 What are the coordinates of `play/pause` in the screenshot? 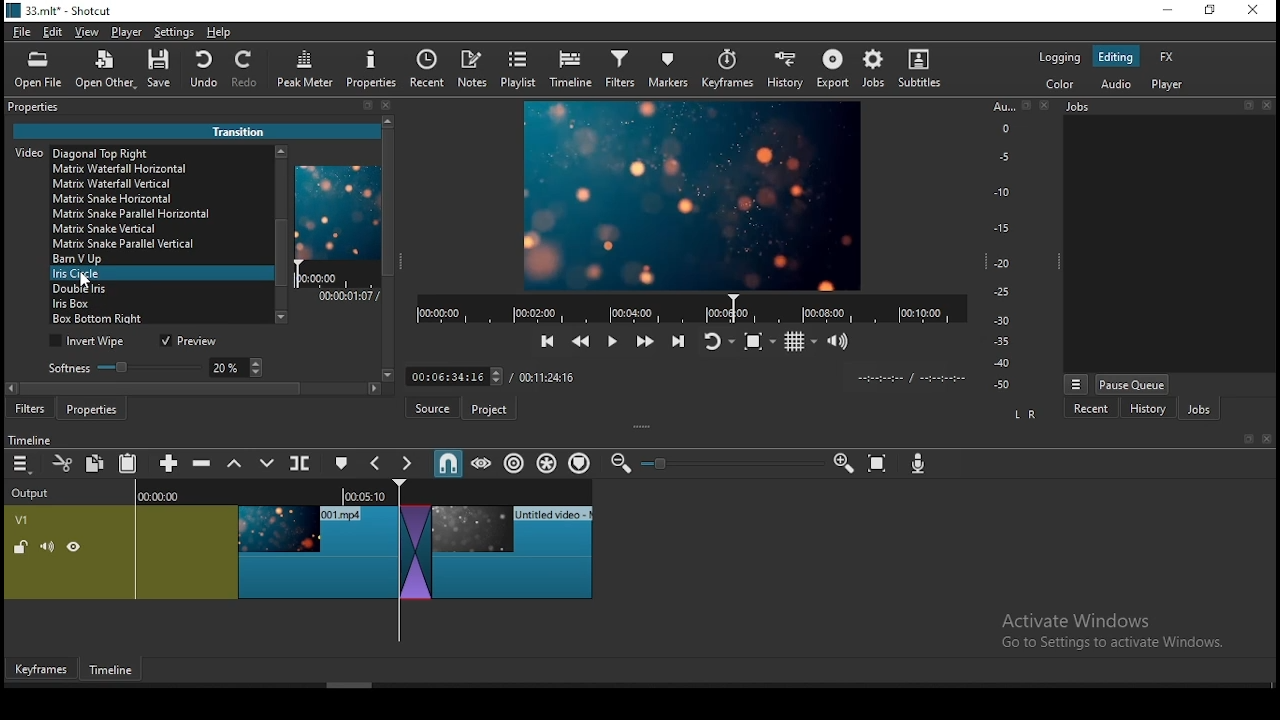 It's located at (610, 345).